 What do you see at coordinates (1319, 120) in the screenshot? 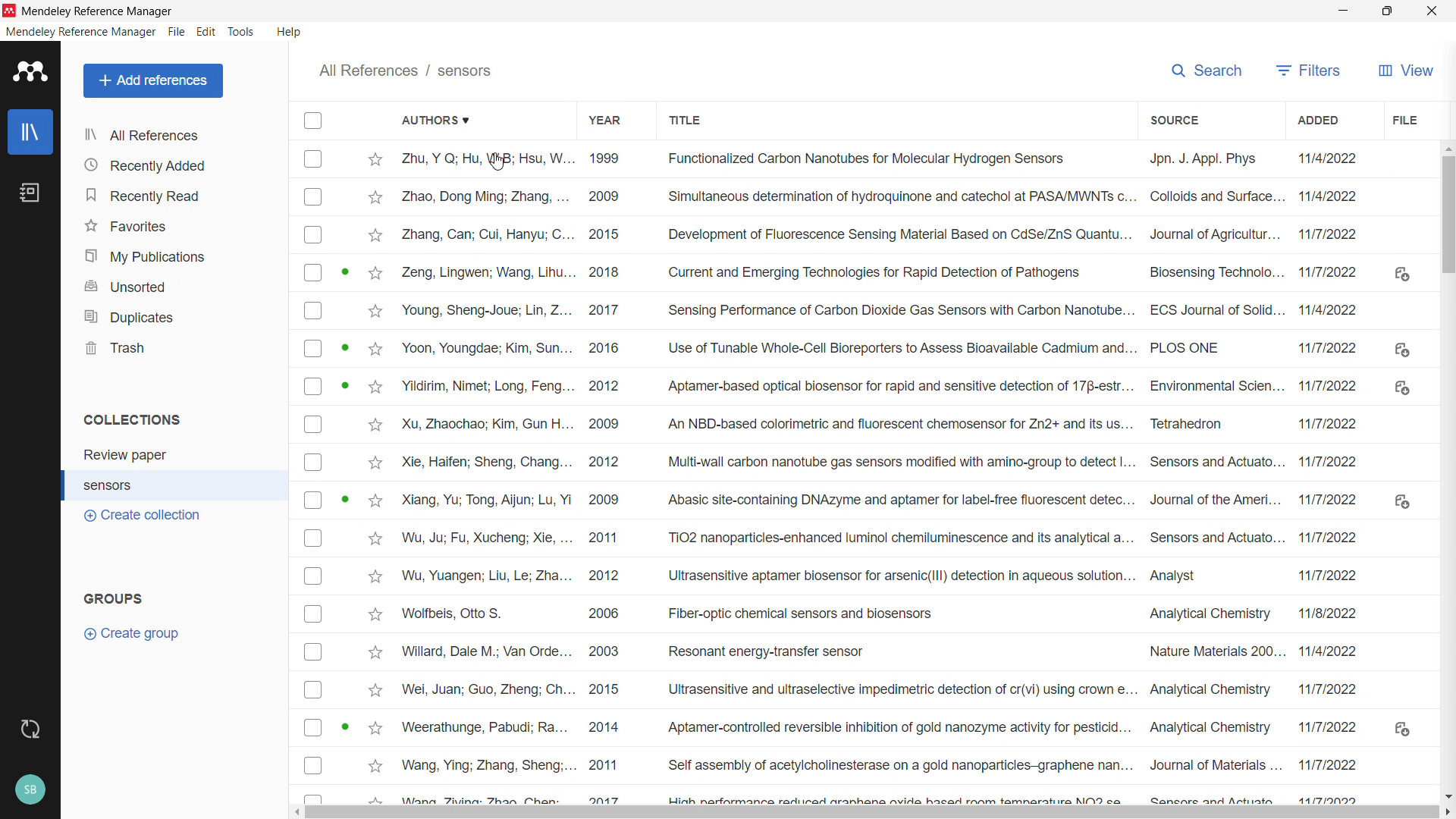
I see `Sort by date added ` at bounding box center [1319, 120].